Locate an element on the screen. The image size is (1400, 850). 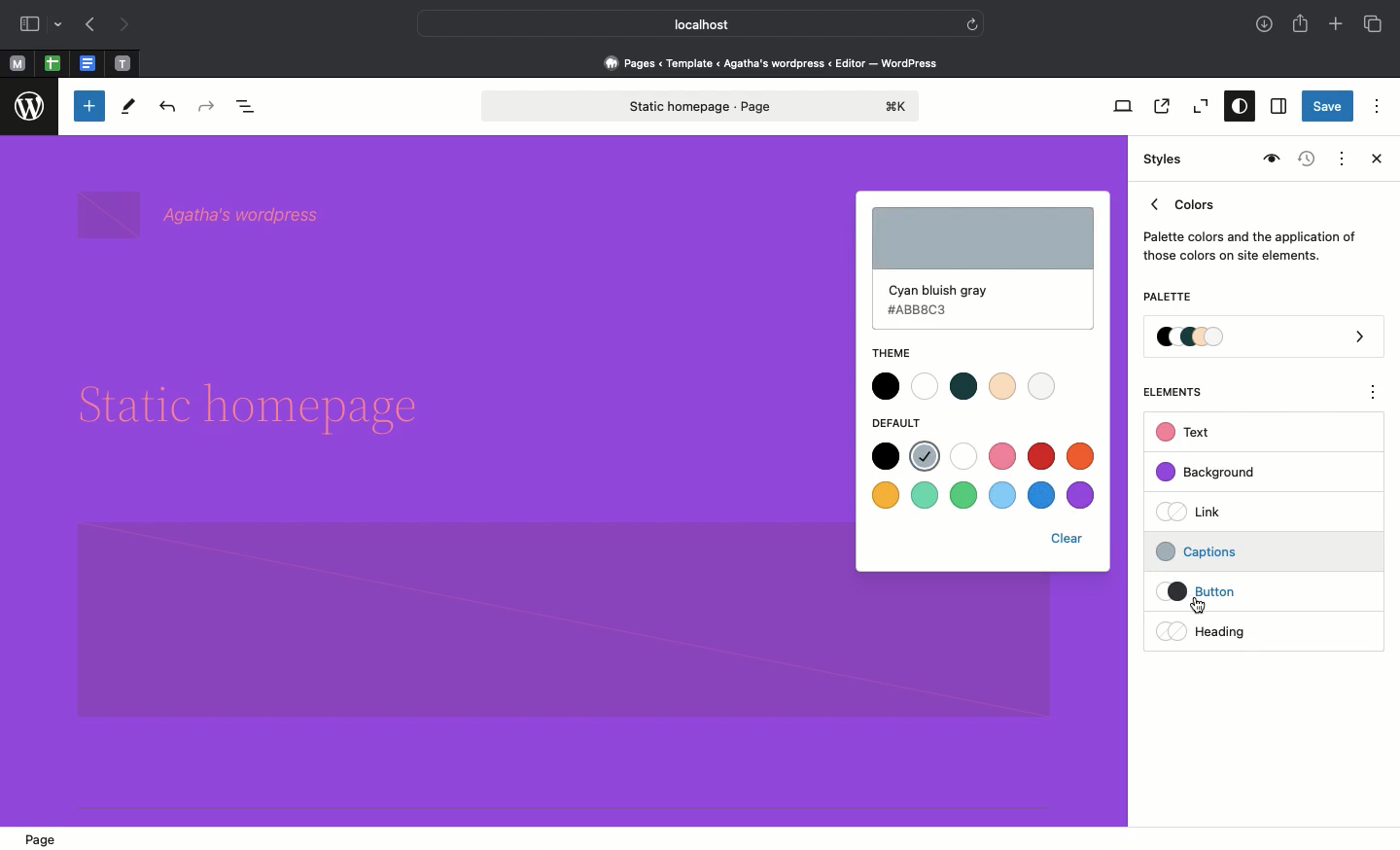
refresh is located at coordinates (972, 22).